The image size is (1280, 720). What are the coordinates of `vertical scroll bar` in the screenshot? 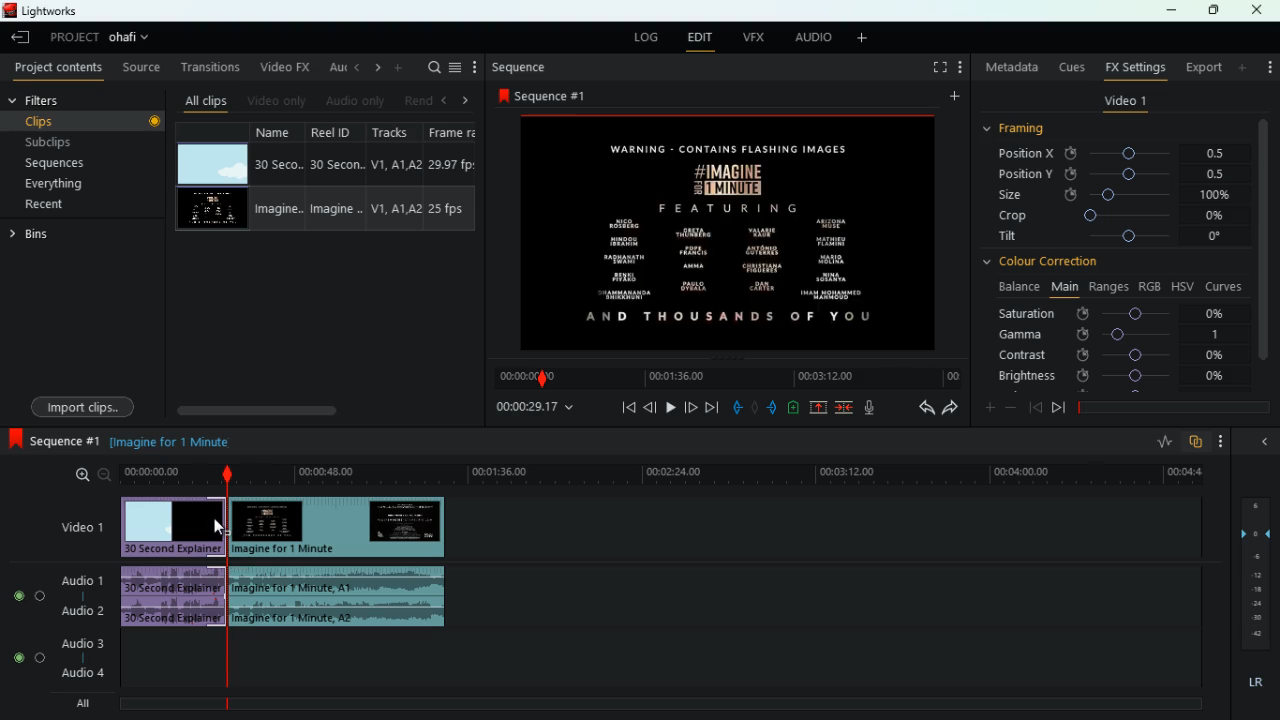 It's located at (1264, 253).